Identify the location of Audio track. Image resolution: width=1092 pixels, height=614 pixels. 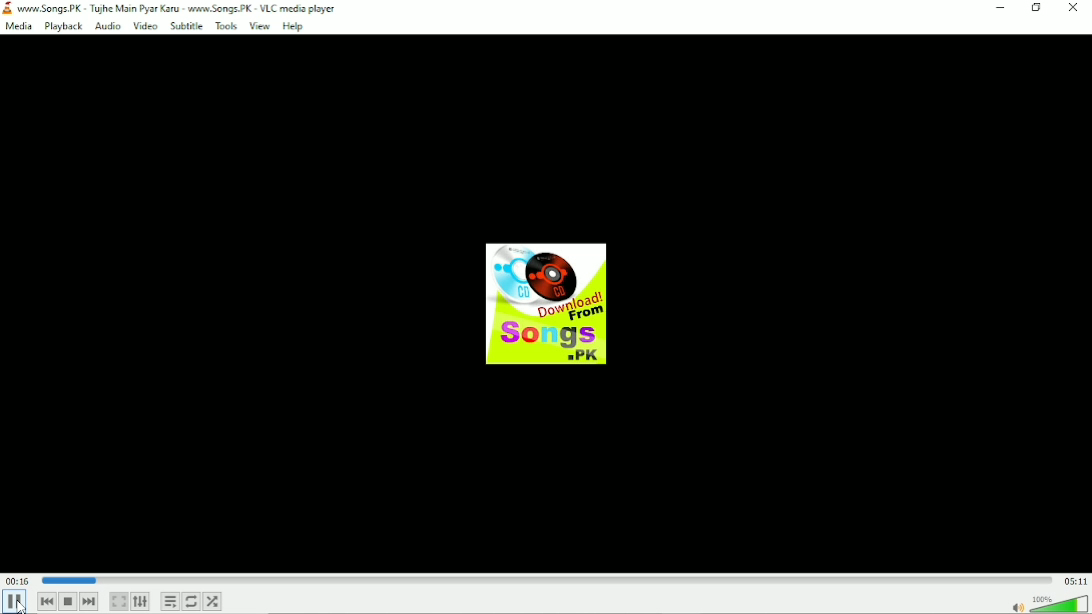
(548, 301).